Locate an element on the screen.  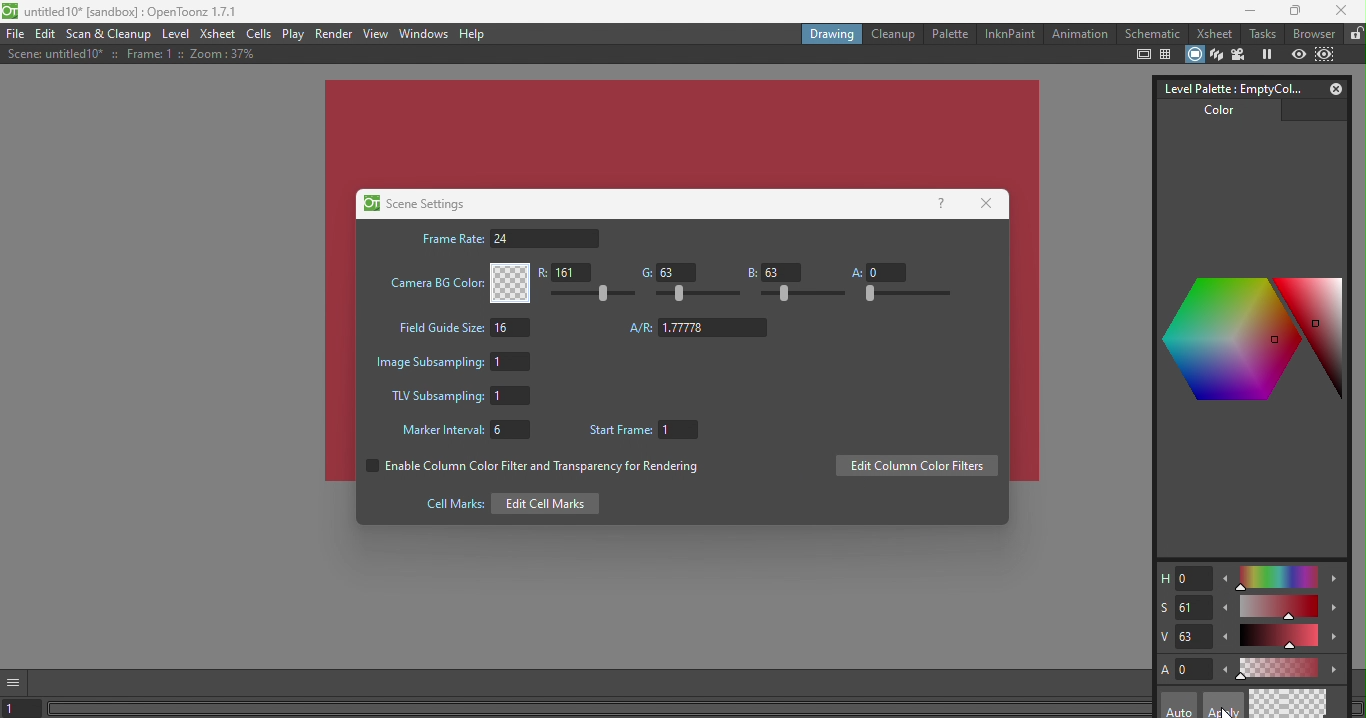
Close is located at coordinates (990, 202).